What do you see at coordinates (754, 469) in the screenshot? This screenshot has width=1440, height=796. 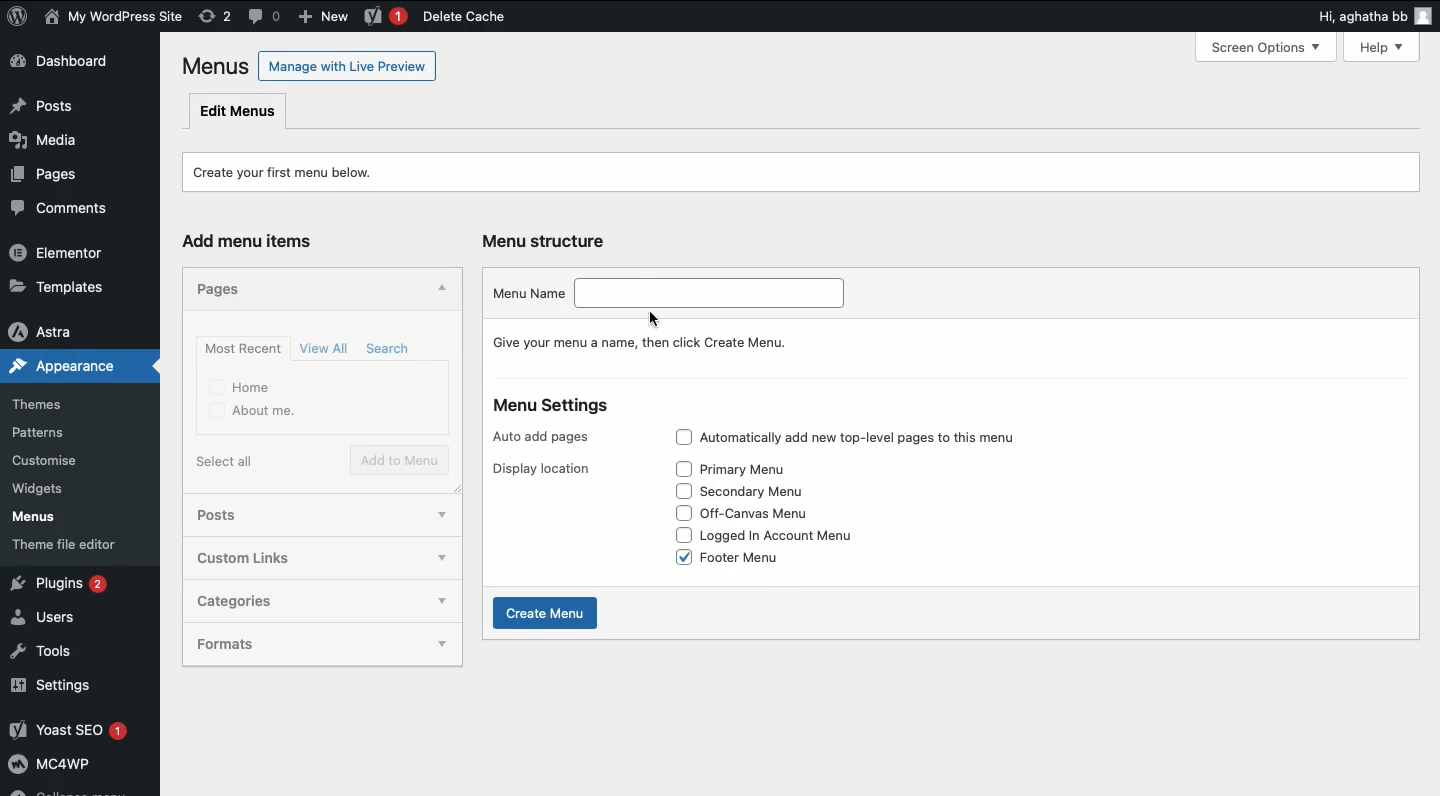 I see `Primary menu` at bounding box center [754, 469].